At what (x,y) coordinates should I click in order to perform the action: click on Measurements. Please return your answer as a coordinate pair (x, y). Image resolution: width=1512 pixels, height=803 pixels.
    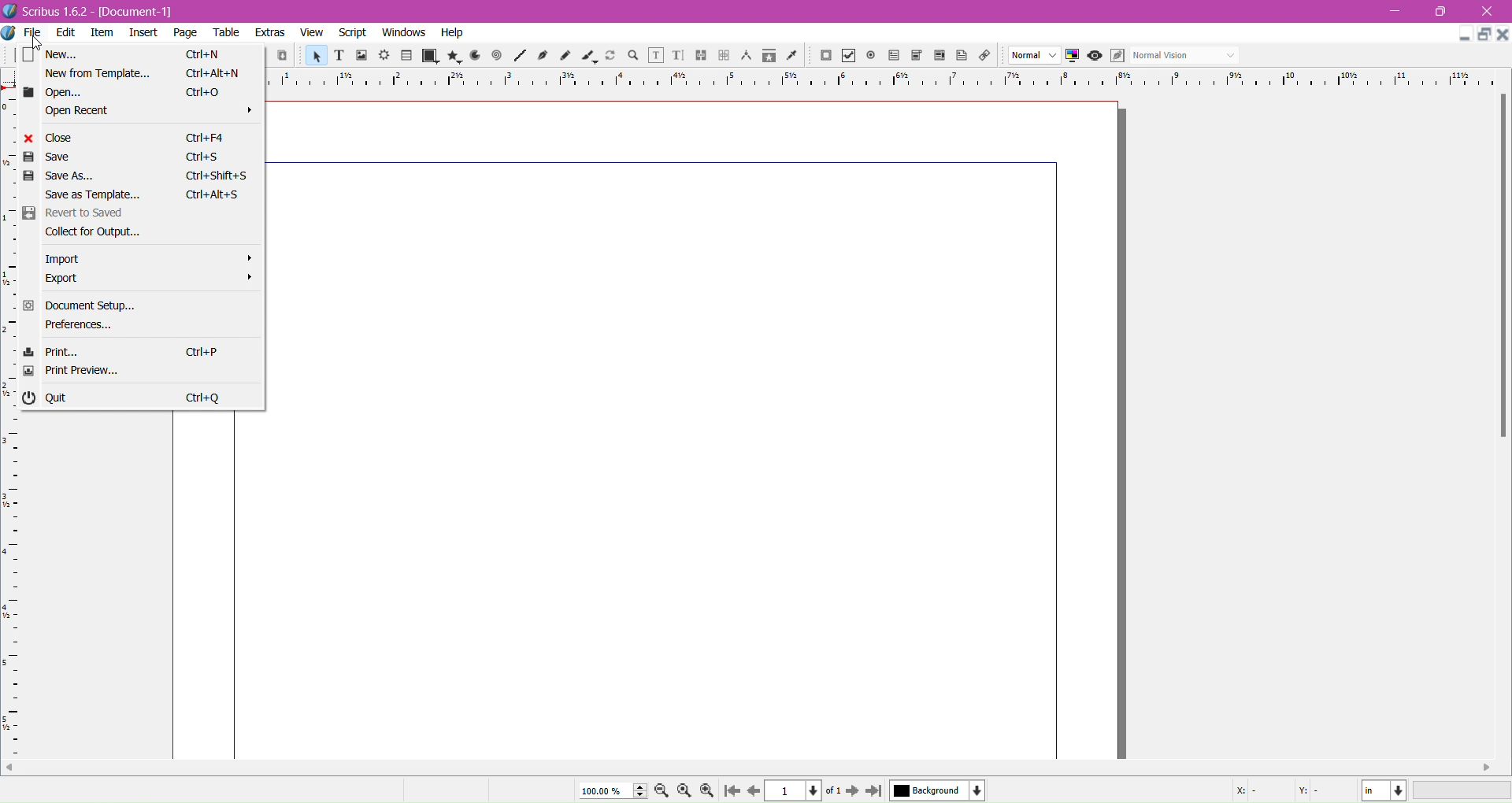
    Looking at the image, I should click on (745, 56).